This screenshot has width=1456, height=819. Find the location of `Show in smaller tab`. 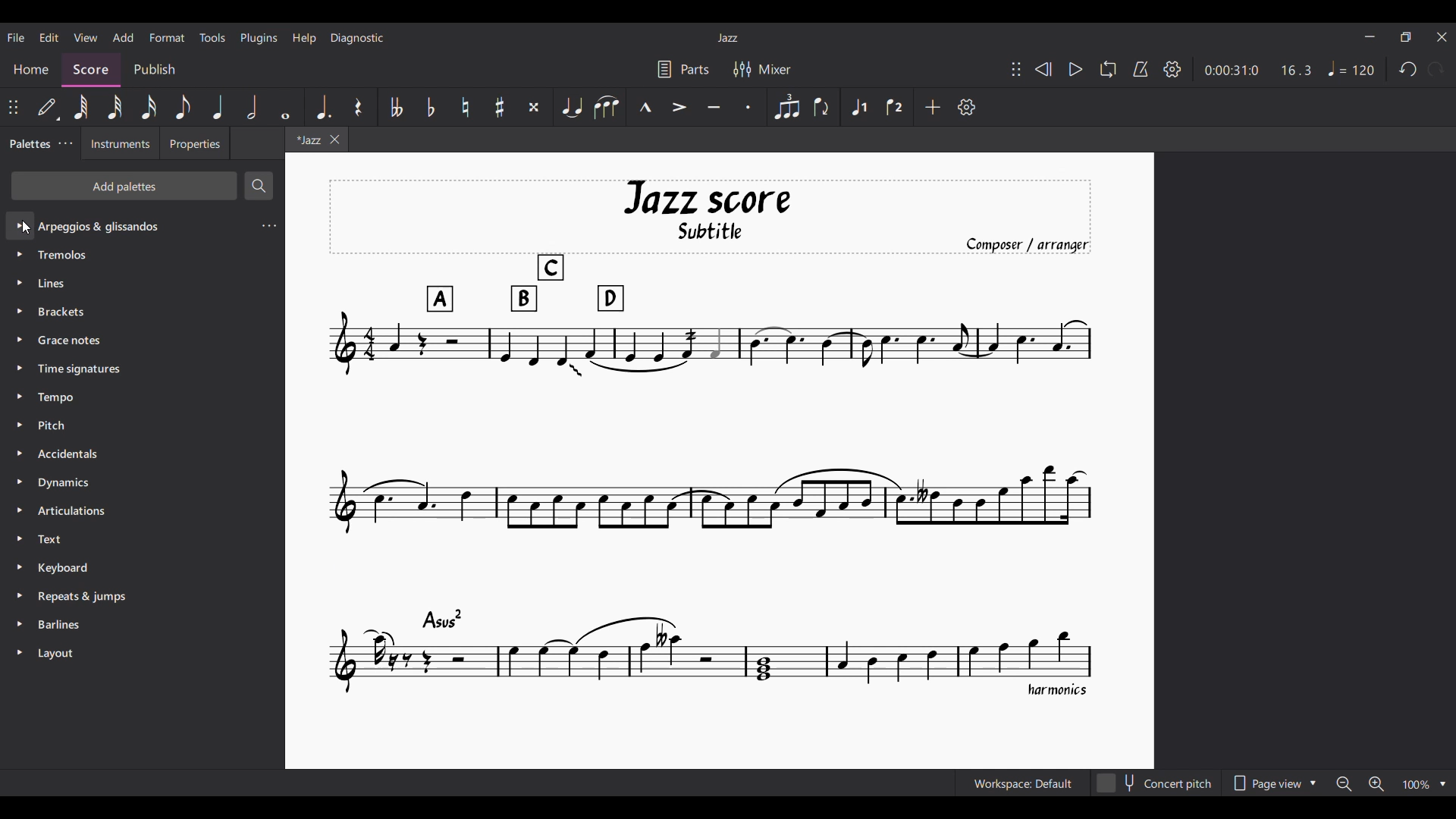

Show in smaller tab is located at coordinates (1405, 36).